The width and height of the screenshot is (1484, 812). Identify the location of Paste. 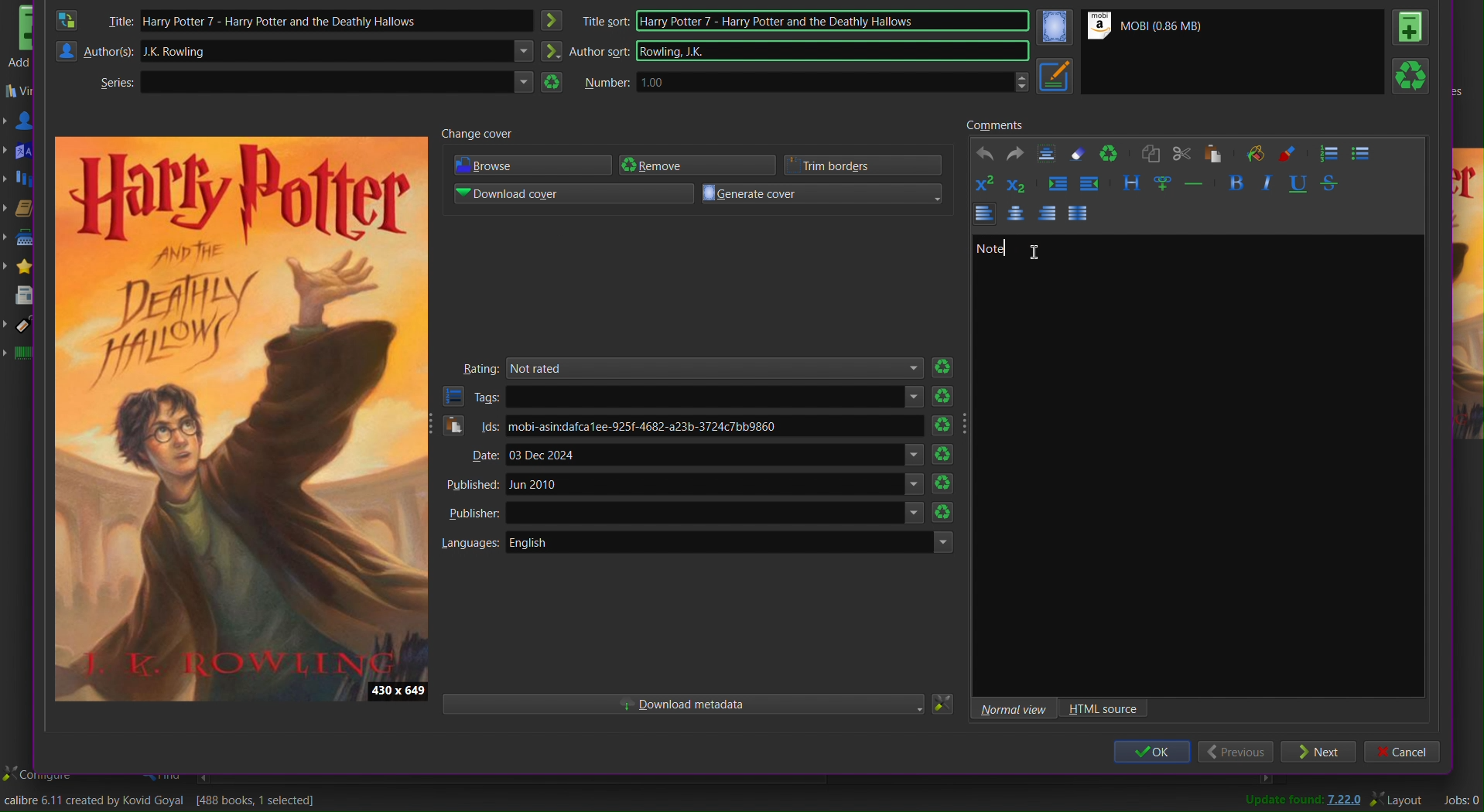
(1216, 155).